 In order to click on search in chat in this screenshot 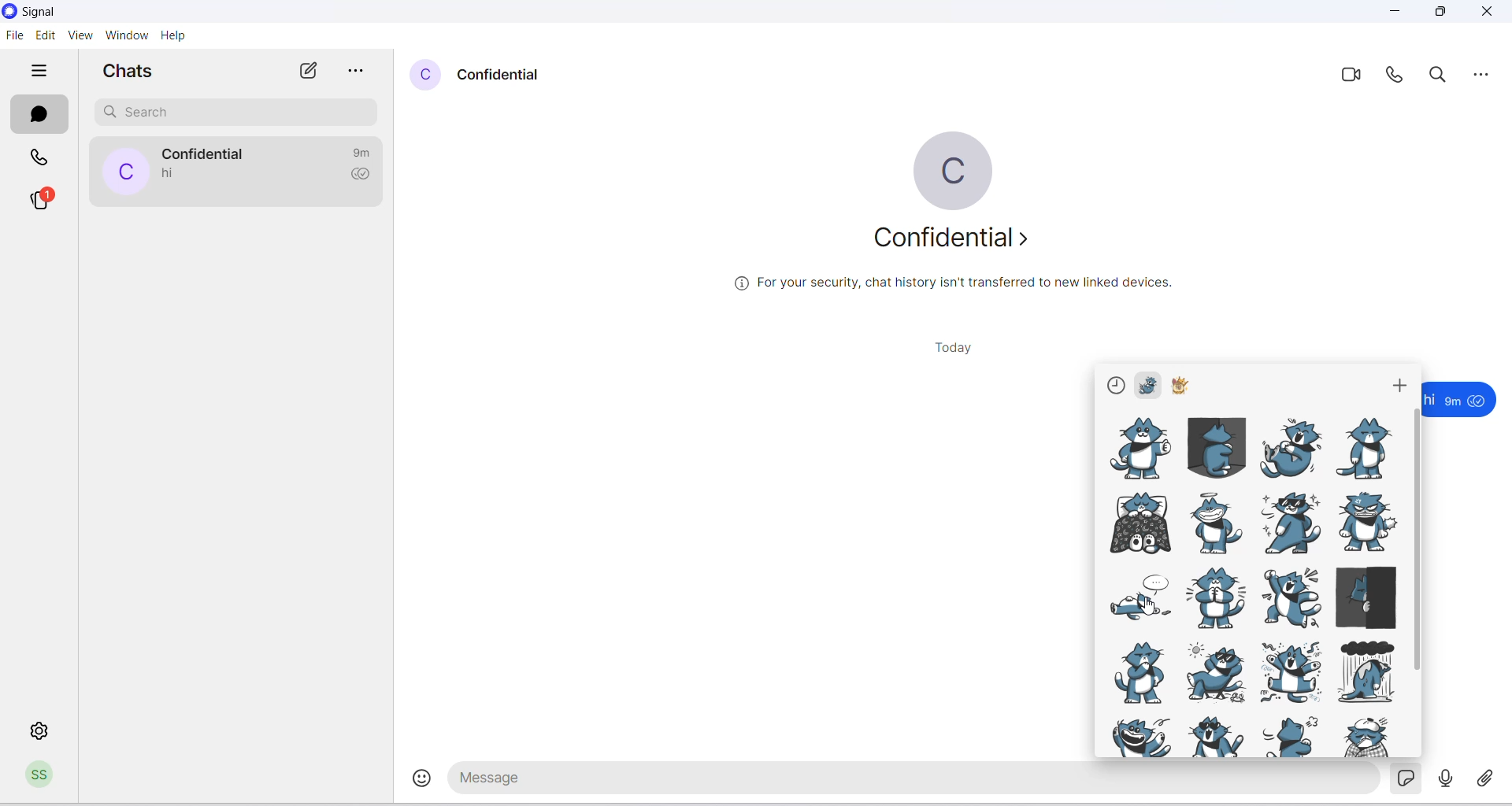, I will do `click(1443, 76)`.